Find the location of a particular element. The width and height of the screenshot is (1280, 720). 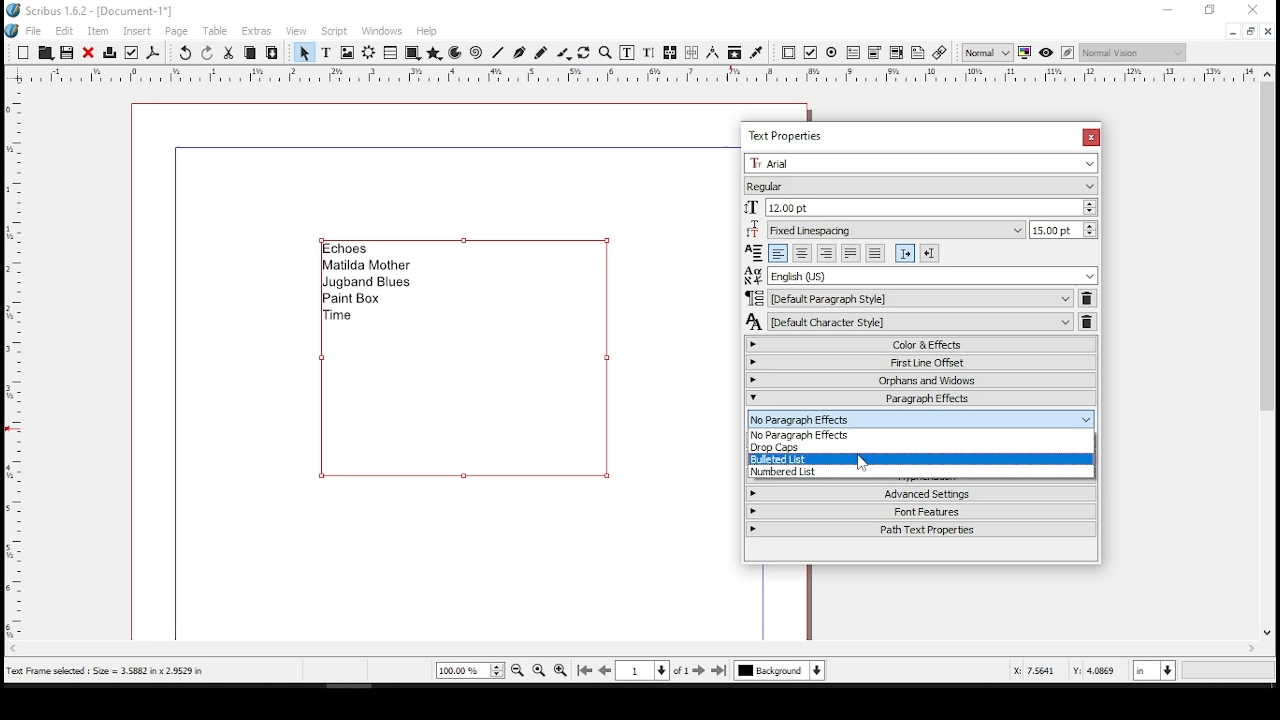

image frame is located at coordinates (347, 53).